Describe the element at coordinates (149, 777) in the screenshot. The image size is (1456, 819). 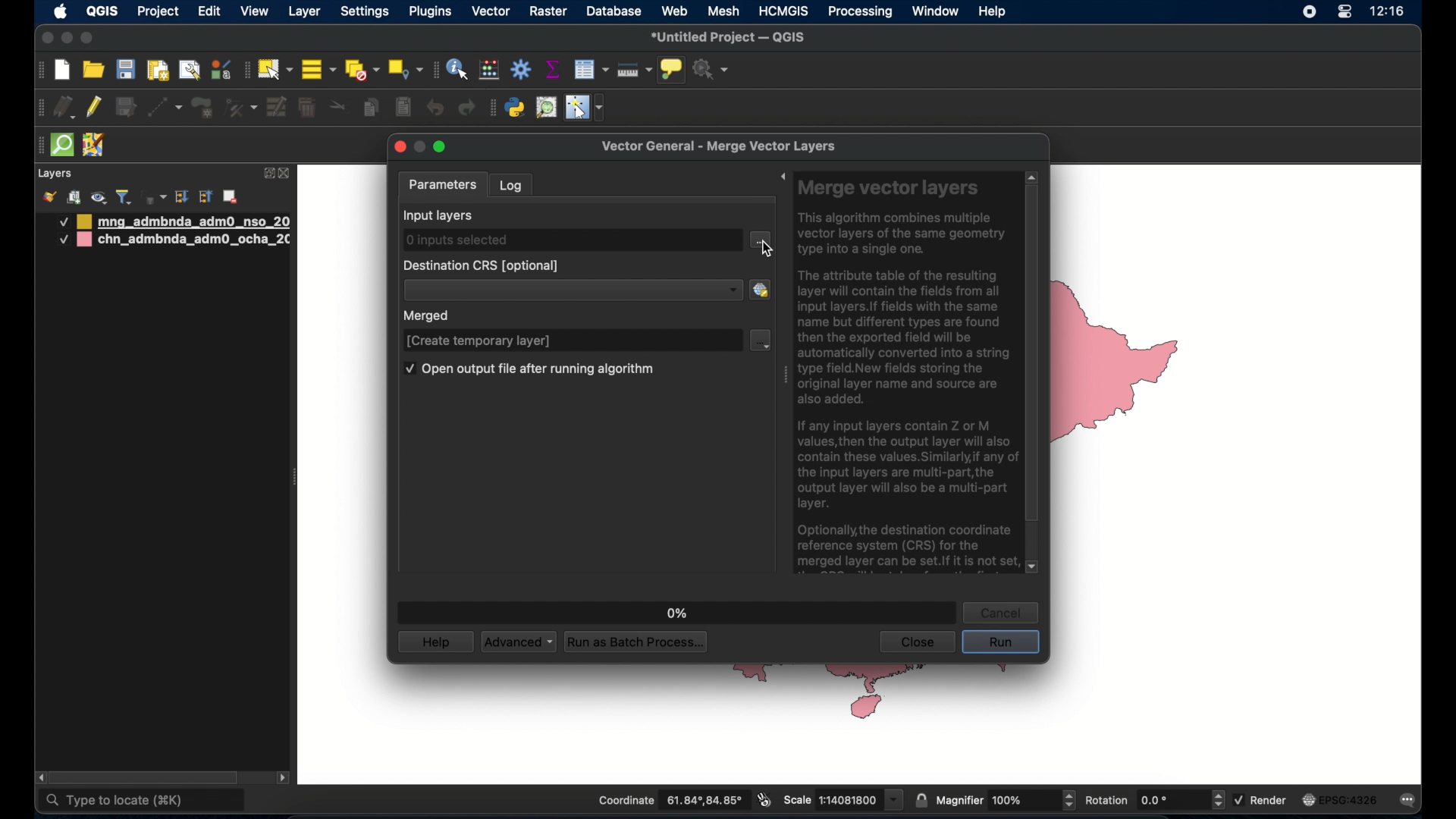
I see `scroll box` at that location.